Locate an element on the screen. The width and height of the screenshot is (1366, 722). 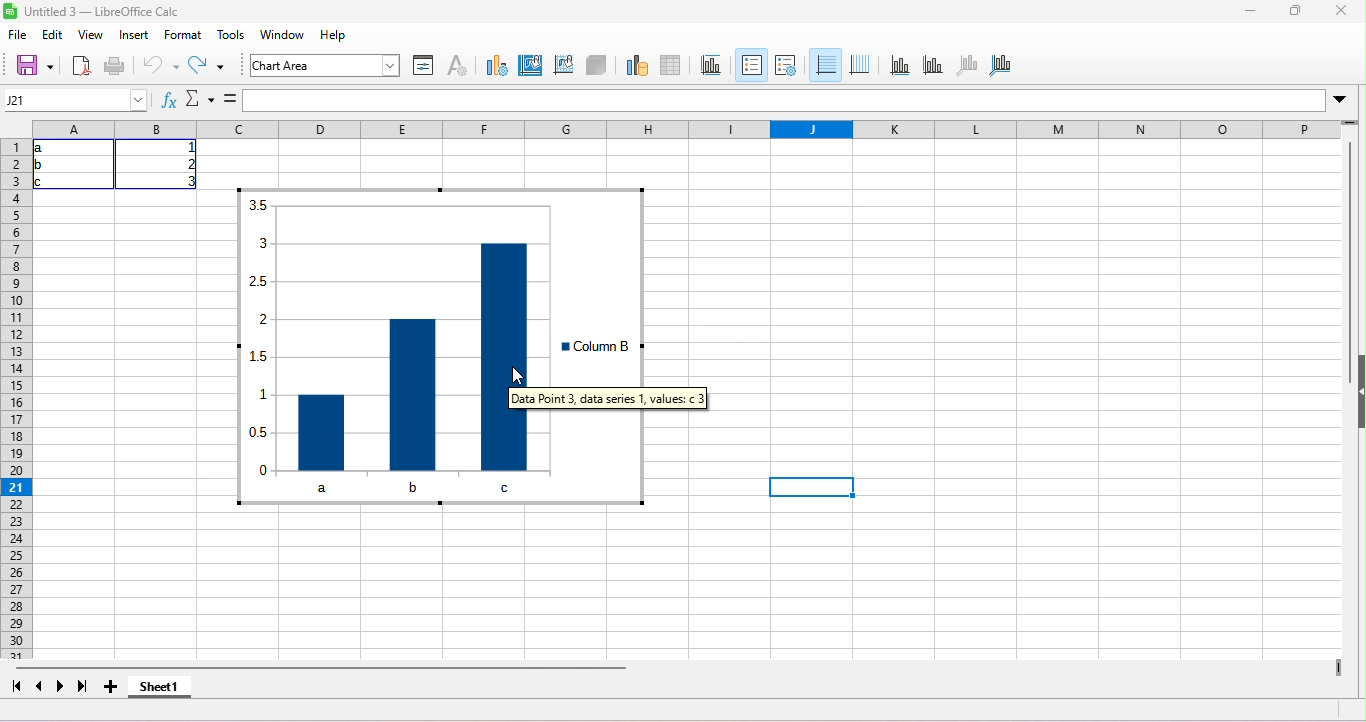
data ranges is located at coordinates (633, 64).